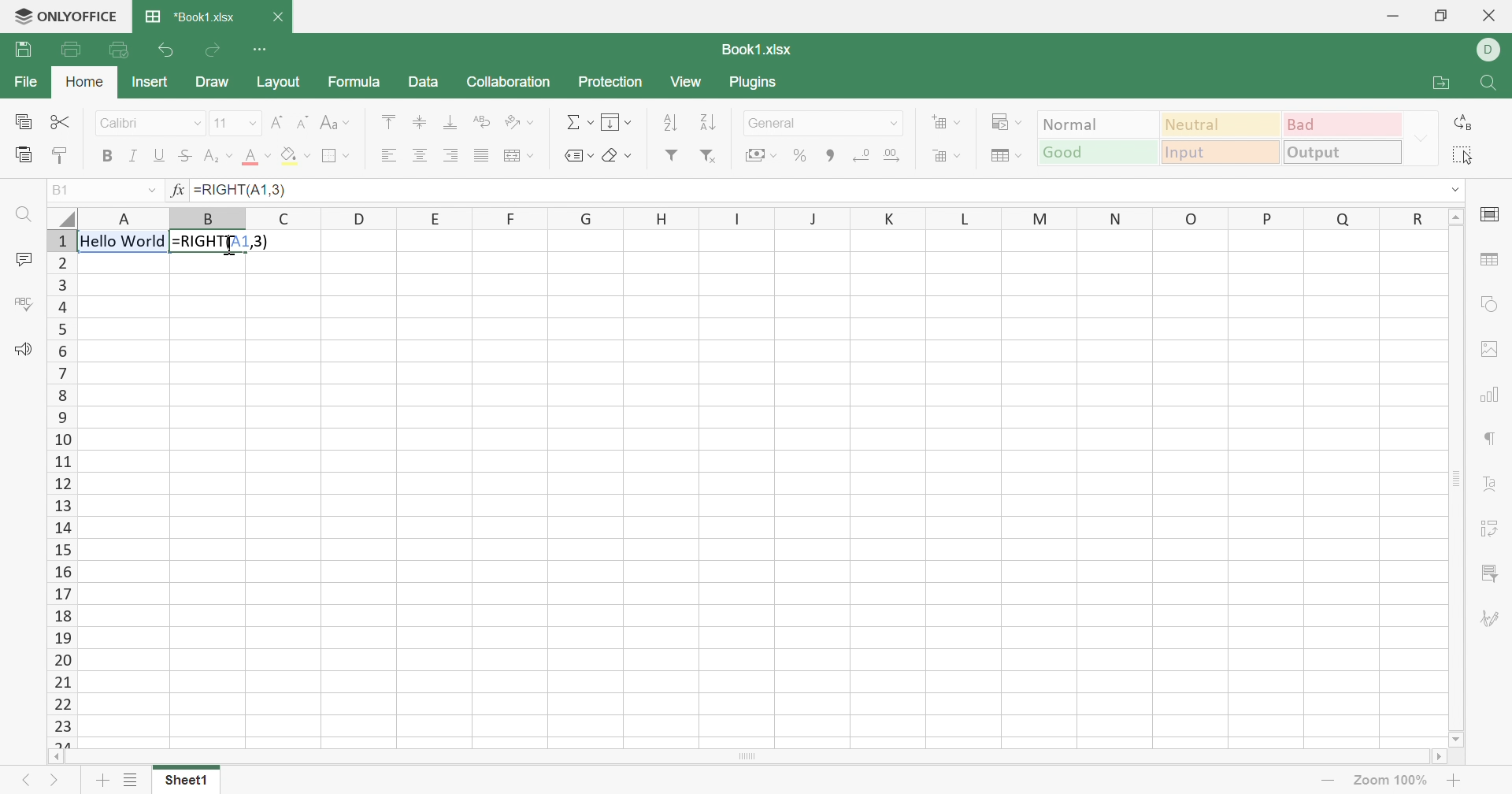  I want to click on Scroll Down, so click(1455, 740).